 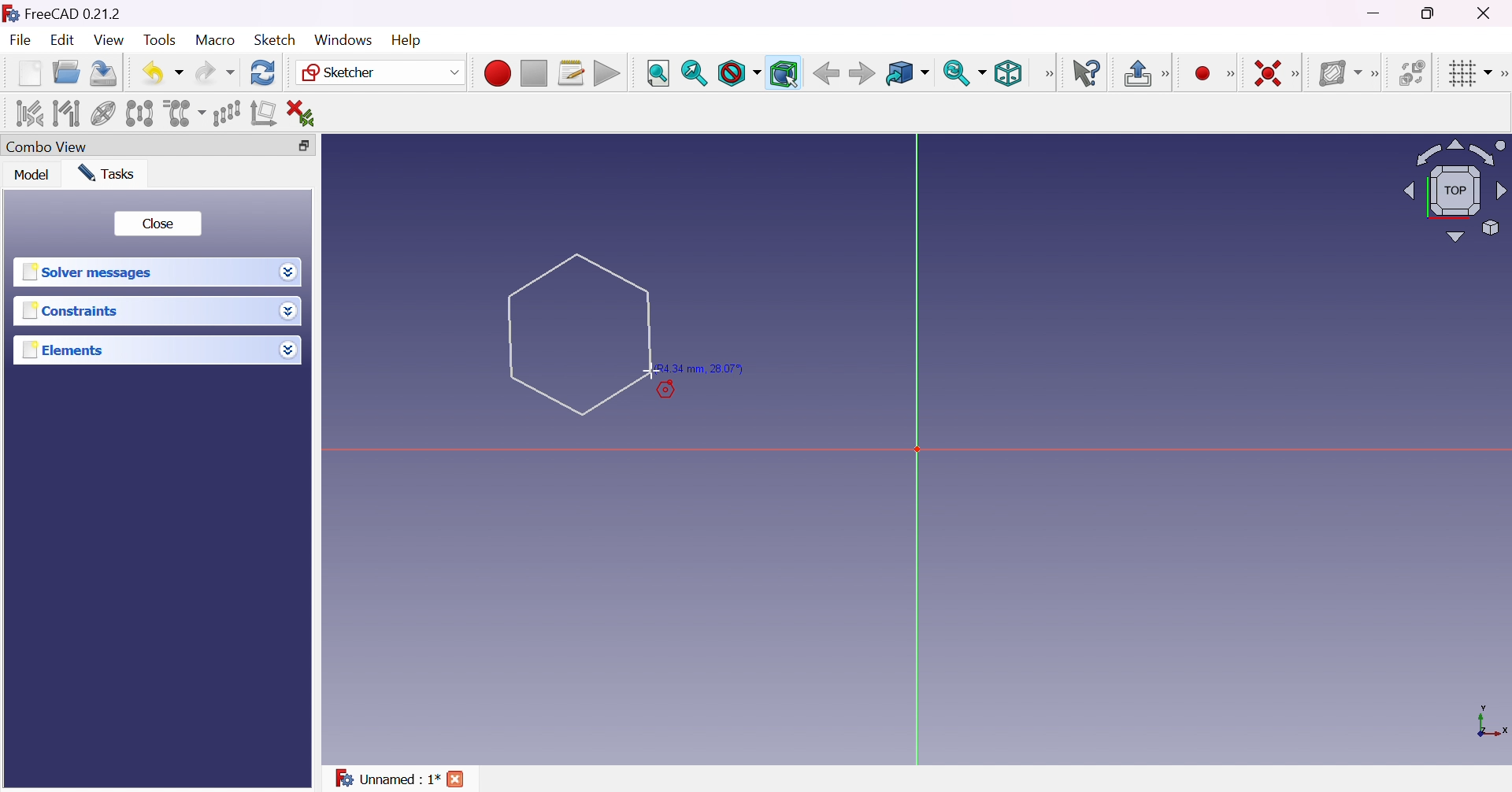 I want to click on Execute macro, so click(x=607, y=75).